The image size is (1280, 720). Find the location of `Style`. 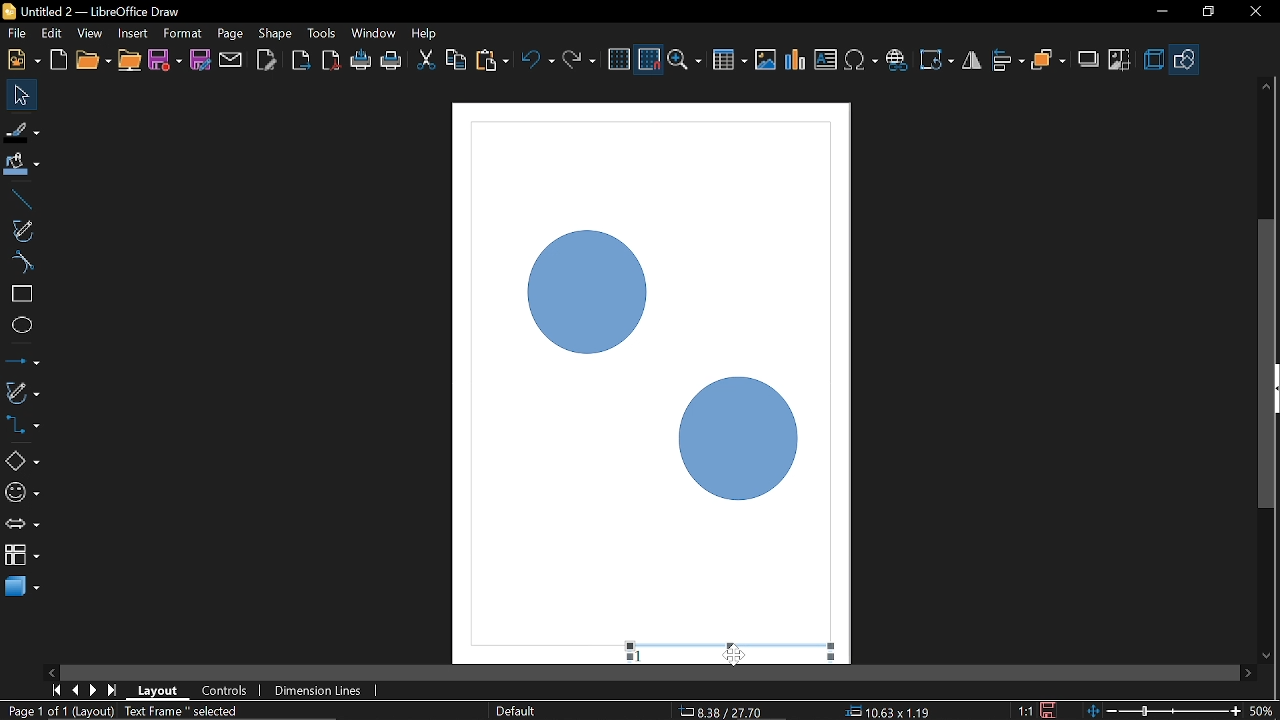

Style is located at coordinates (513, 711).